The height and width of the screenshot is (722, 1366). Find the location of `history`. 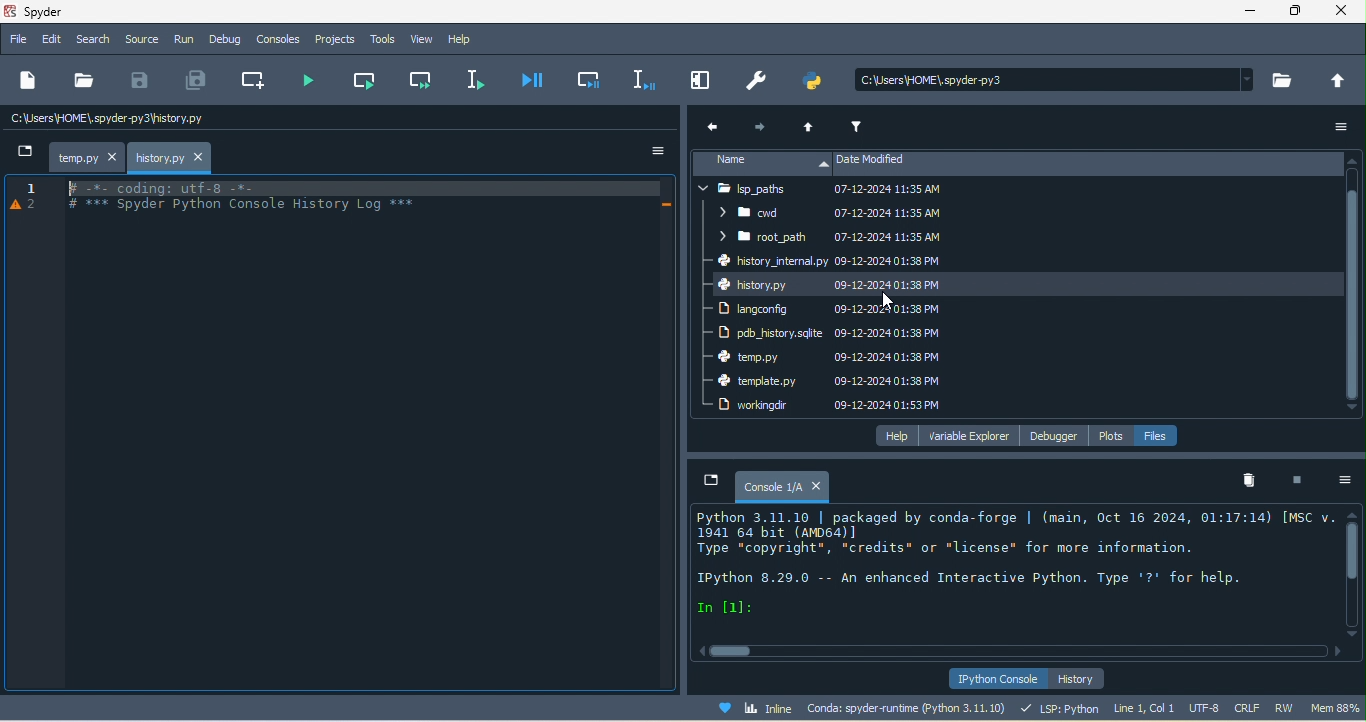

history is located at coordinates (1079, 679).